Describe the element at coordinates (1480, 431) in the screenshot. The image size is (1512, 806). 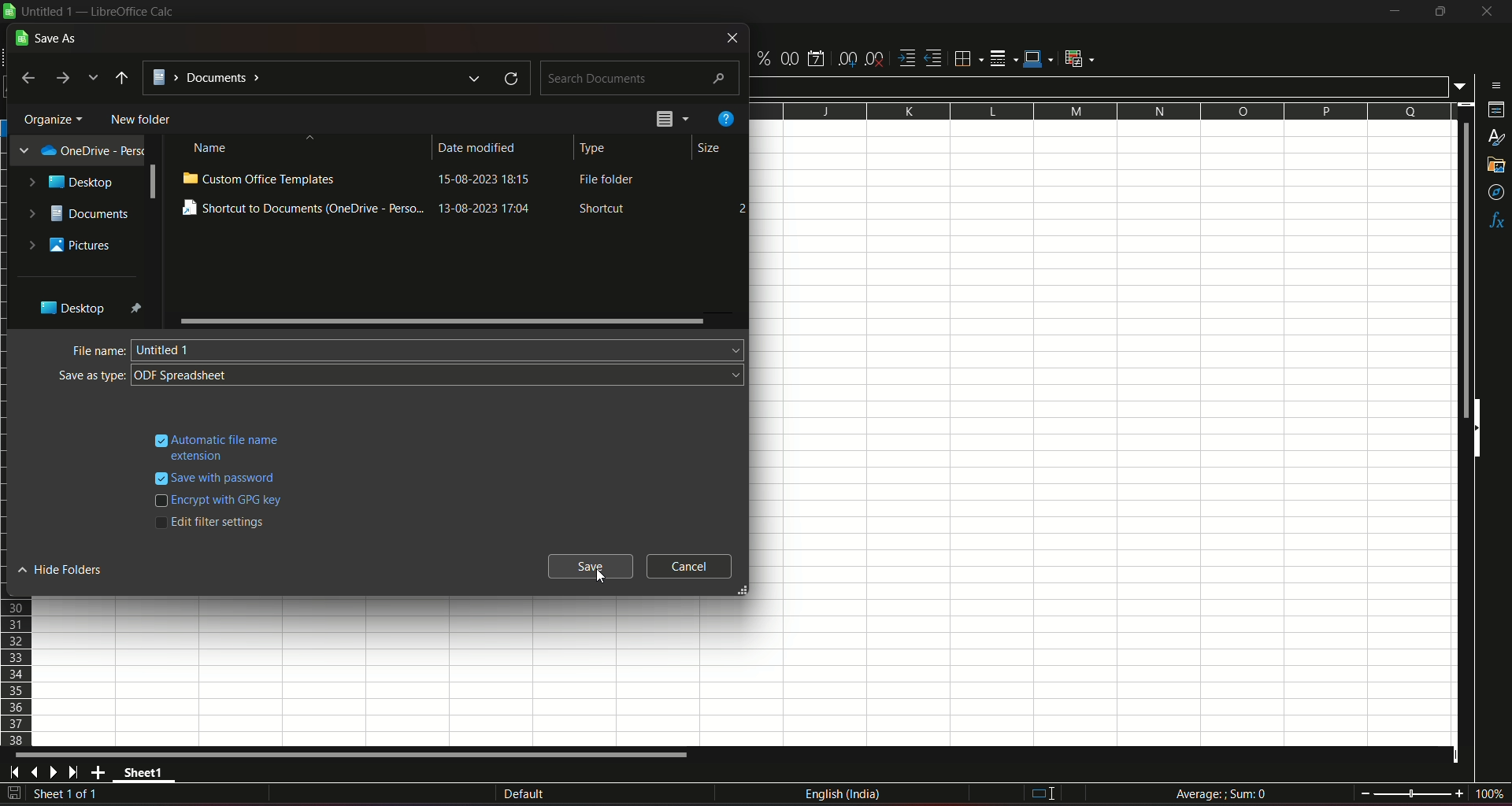
I see `hide` at that location.